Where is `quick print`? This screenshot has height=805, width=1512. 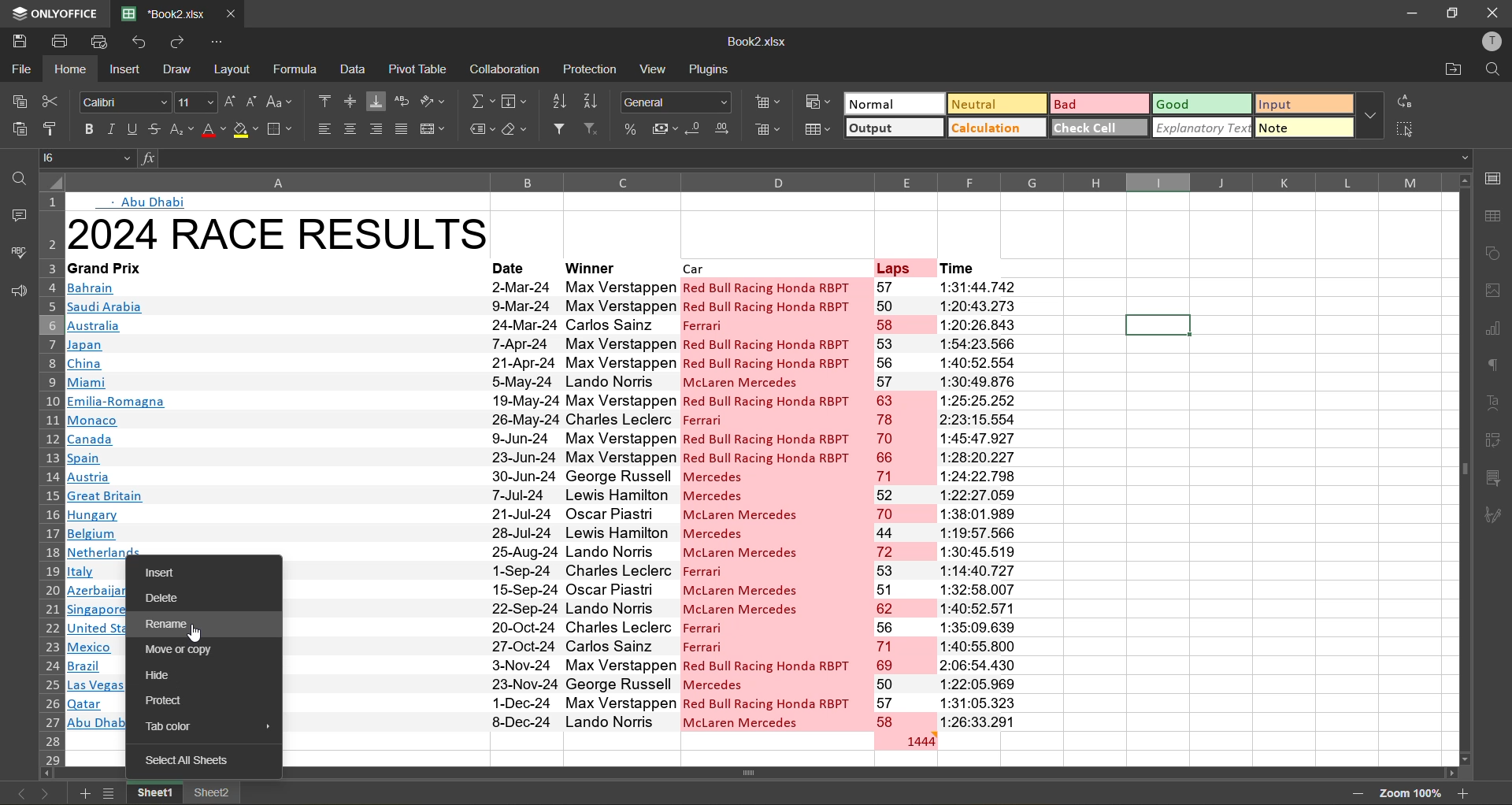
quick print is located at coordinates (104, 43).